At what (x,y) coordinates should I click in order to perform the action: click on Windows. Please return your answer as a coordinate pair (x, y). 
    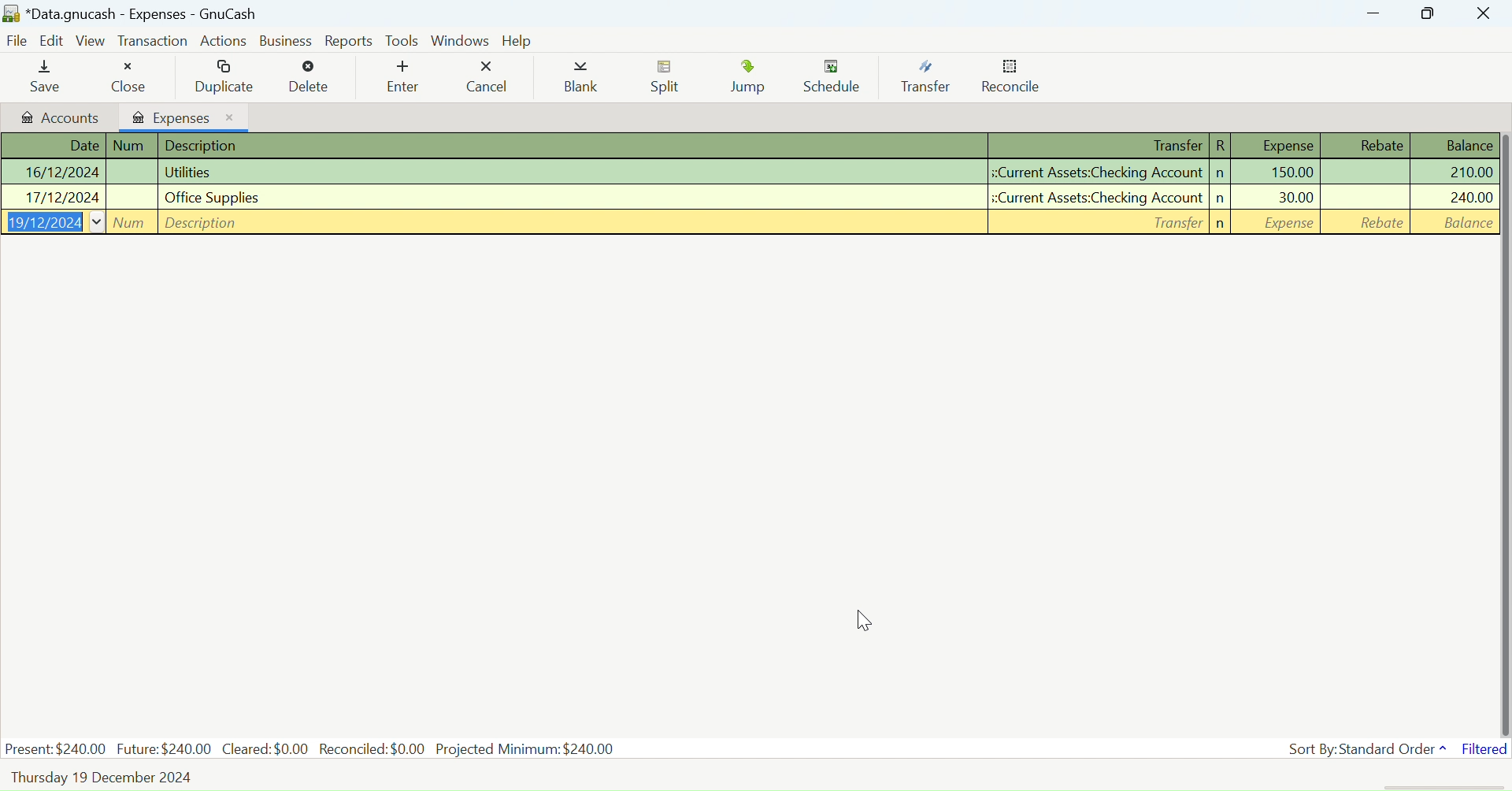
    Looking at the image, I should click on (461, 40).